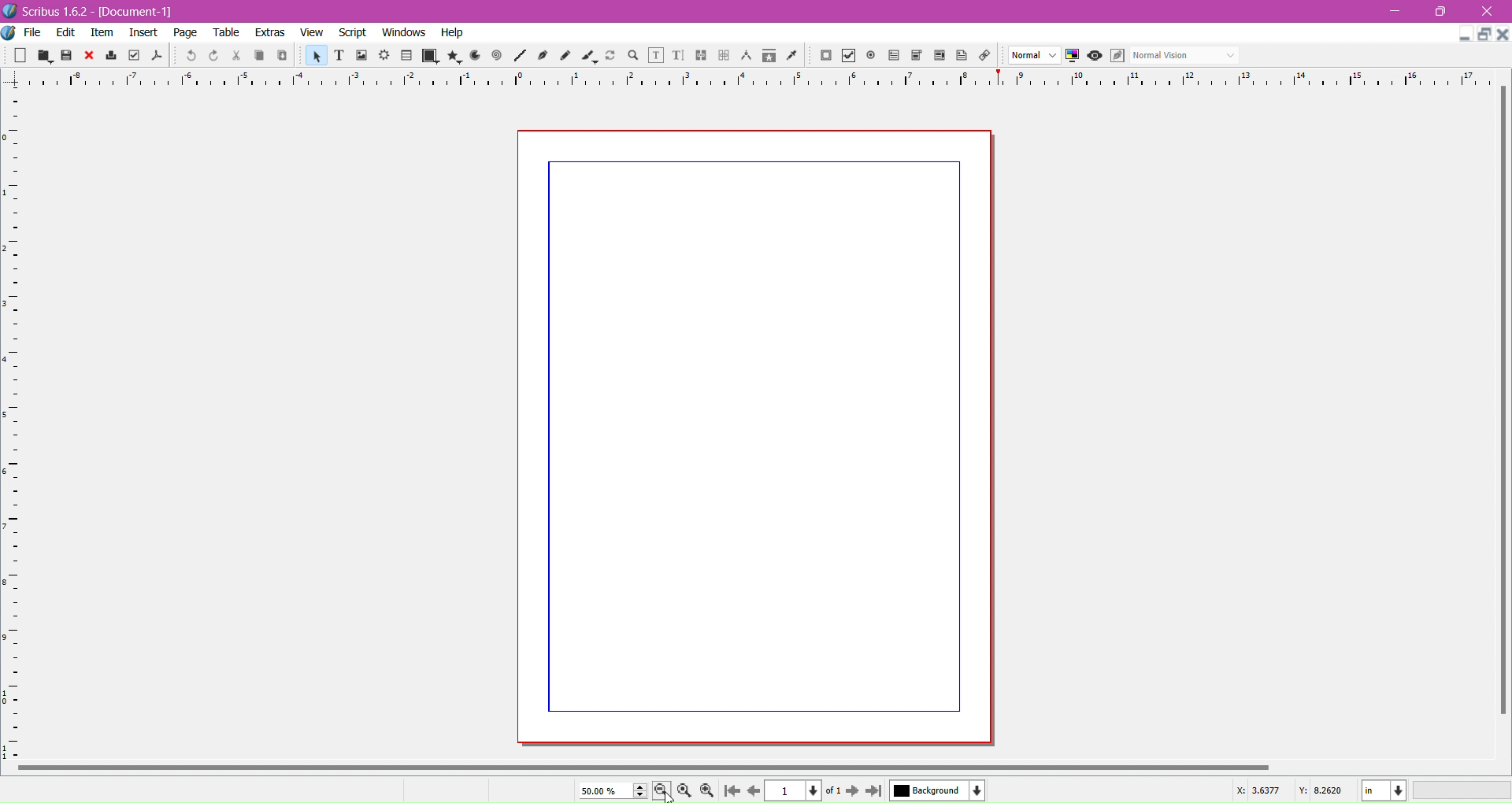  Describe the element at coordinates (354, 32) in the screenshot. I see `Script` at that location.